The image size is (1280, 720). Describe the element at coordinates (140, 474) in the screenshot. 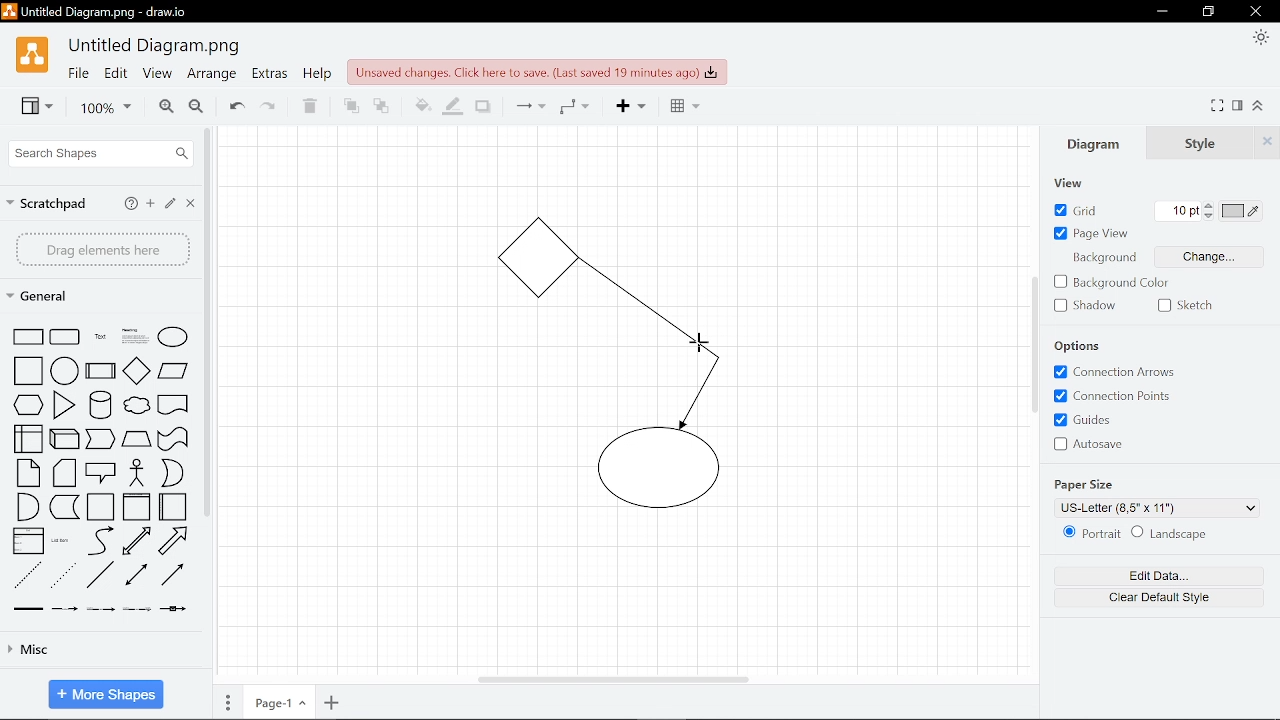

I see `shape` at that location.